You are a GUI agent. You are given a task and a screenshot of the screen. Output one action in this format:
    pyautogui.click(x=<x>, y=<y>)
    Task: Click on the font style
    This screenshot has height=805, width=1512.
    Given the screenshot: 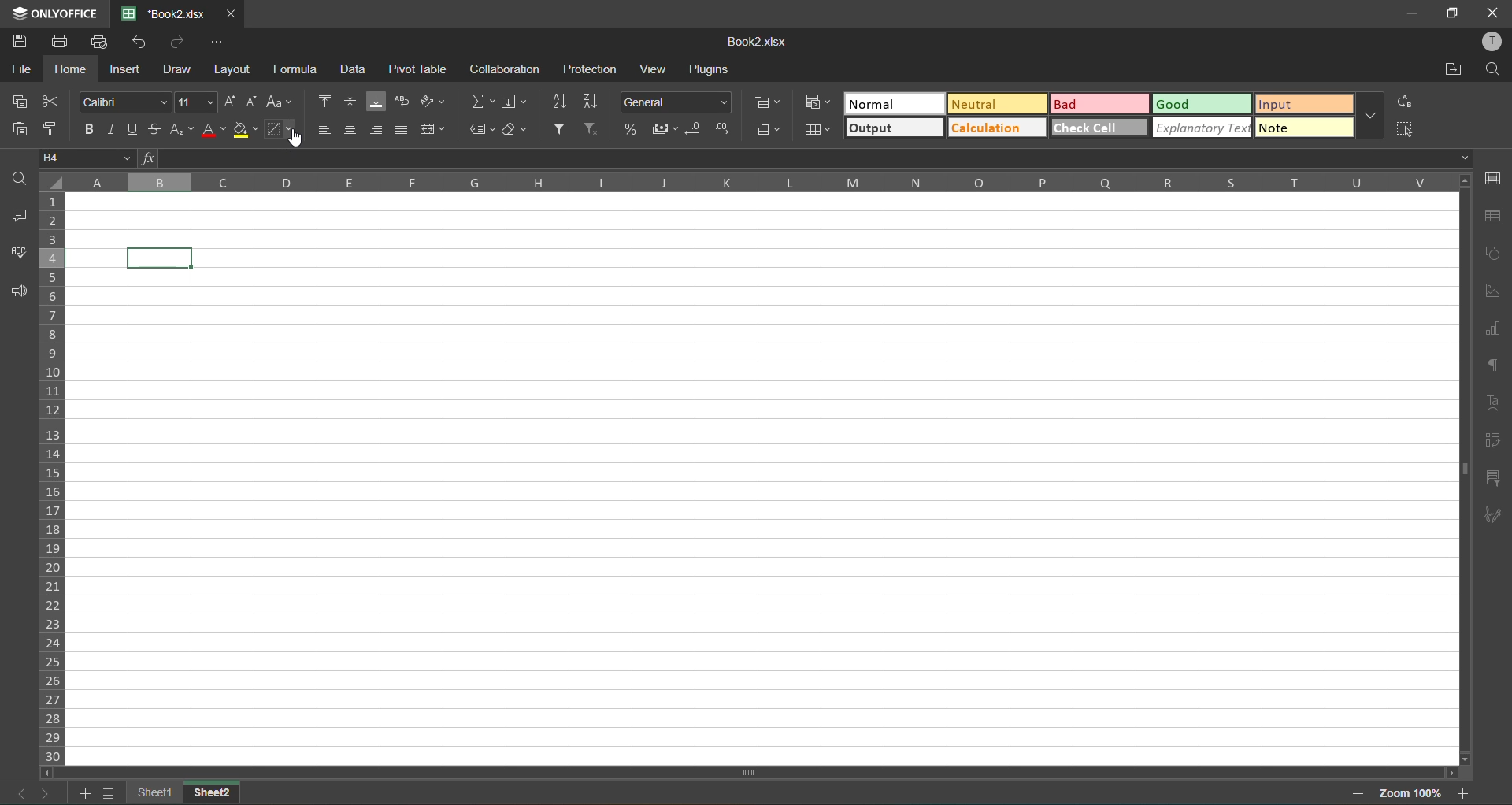 What is the action you would take?
    pyautogui.click(x=126, y=102)
    